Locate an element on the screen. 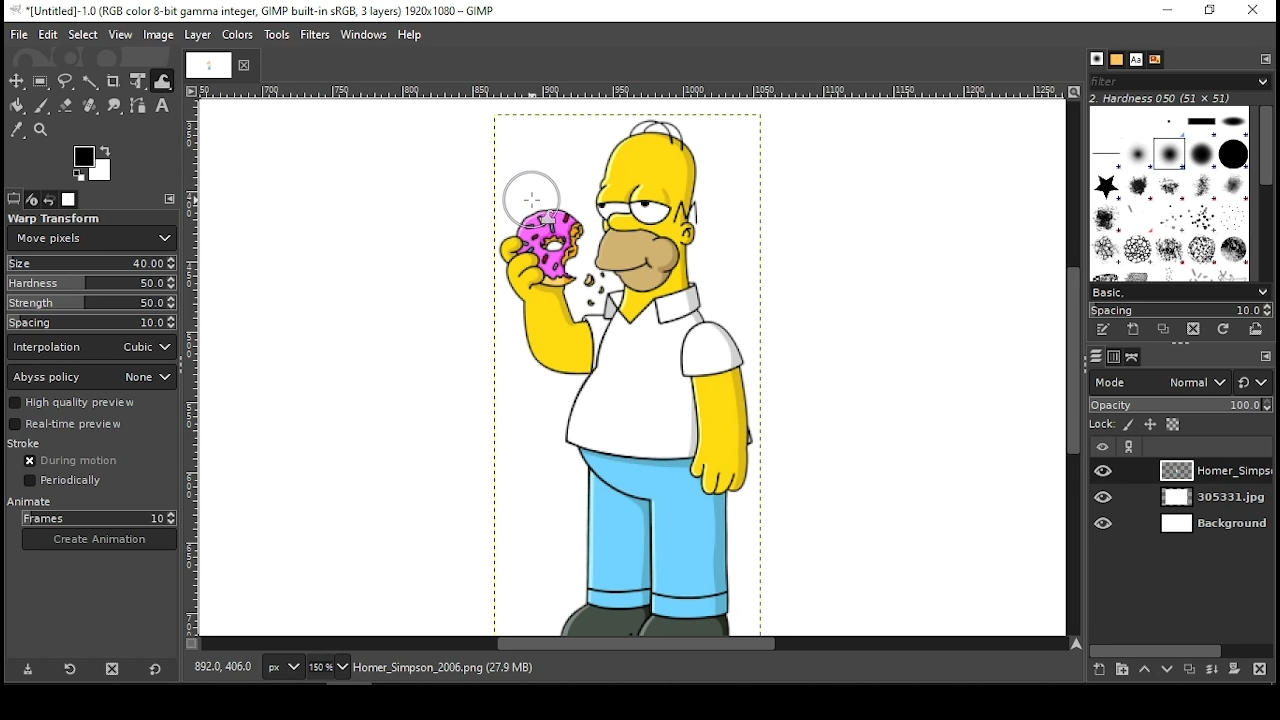  duplicate this brush is located at coordinates (1164, 330).